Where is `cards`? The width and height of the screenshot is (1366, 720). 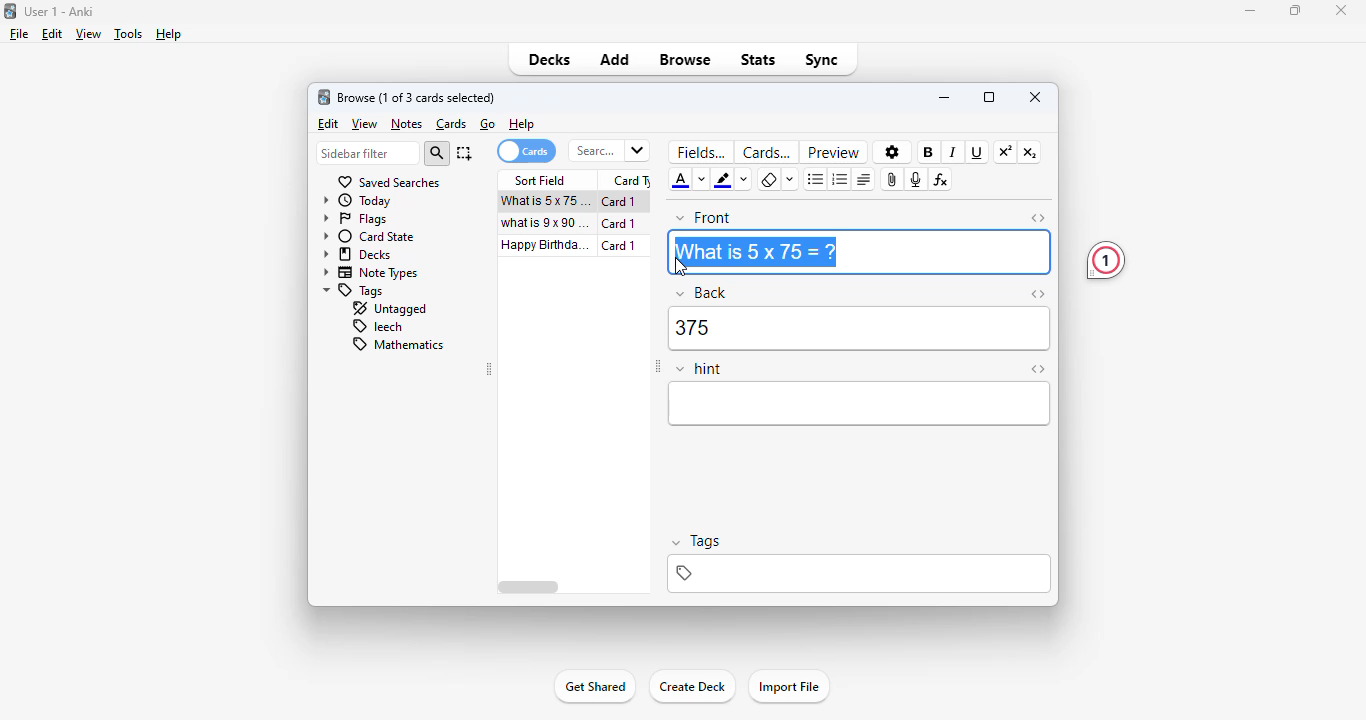 cards is located at coordinates (527, 151).